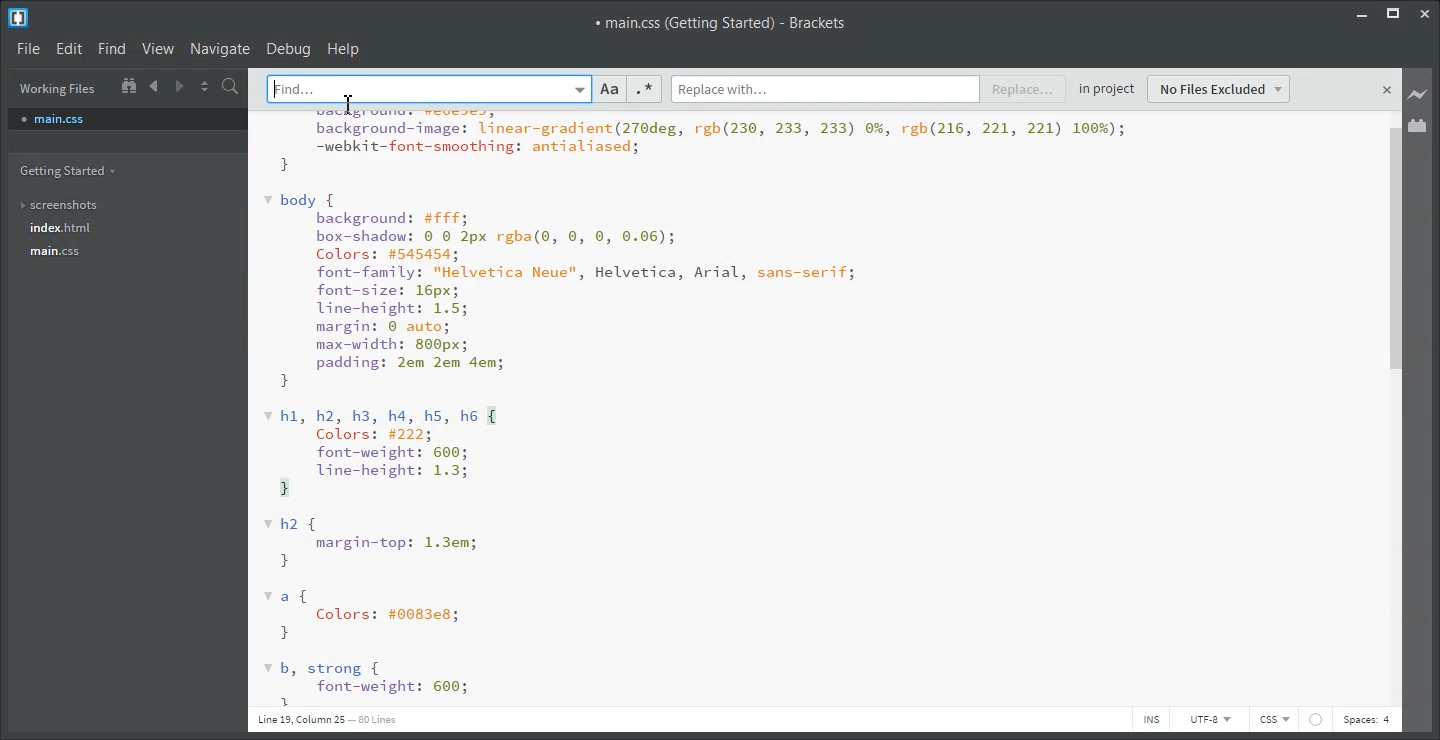 Image resolution: width=1440 pixels, height=740 pixels. Describe the element at coordinates (1024, 90) in the screenshot. I see `Replace` at that location.